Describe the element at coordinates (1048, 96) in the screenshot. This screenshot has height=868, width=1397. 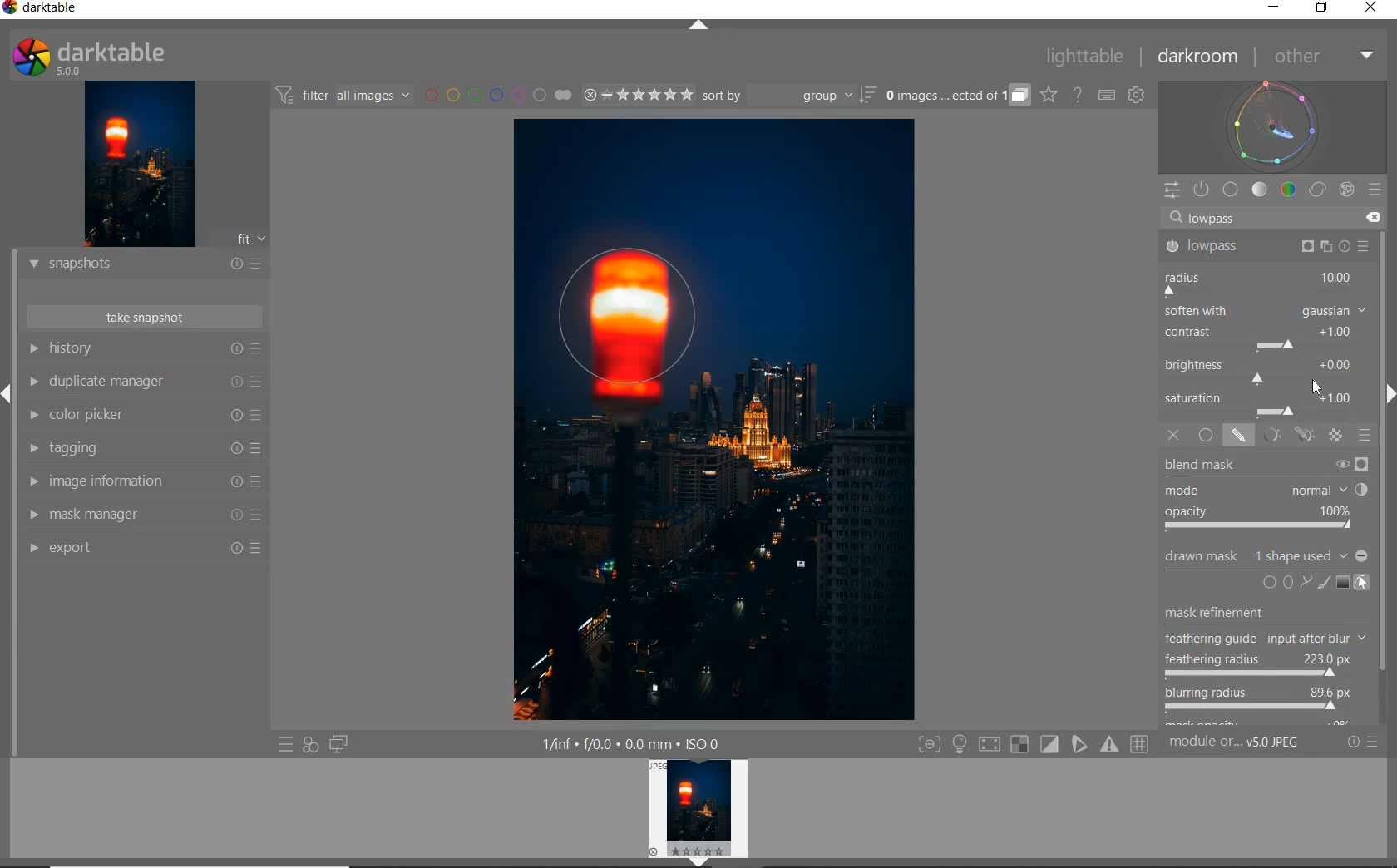
I see `CLICK TO CHANGE THE OVERLAYS SHOWN ON THUMBNAILS` at that location.